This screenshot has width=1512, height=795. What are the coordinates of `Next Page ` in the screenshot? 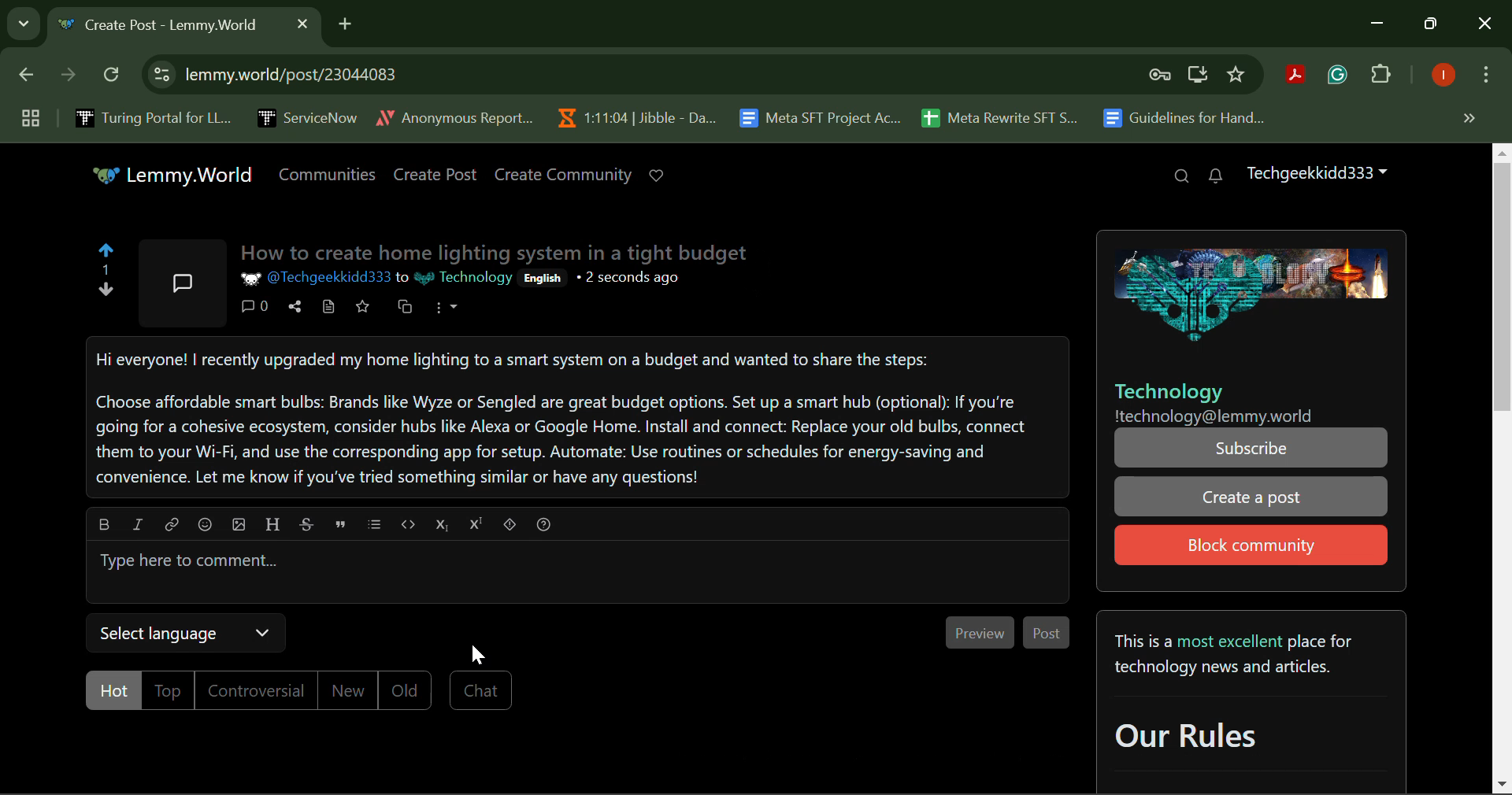 It's located at (66, 79).